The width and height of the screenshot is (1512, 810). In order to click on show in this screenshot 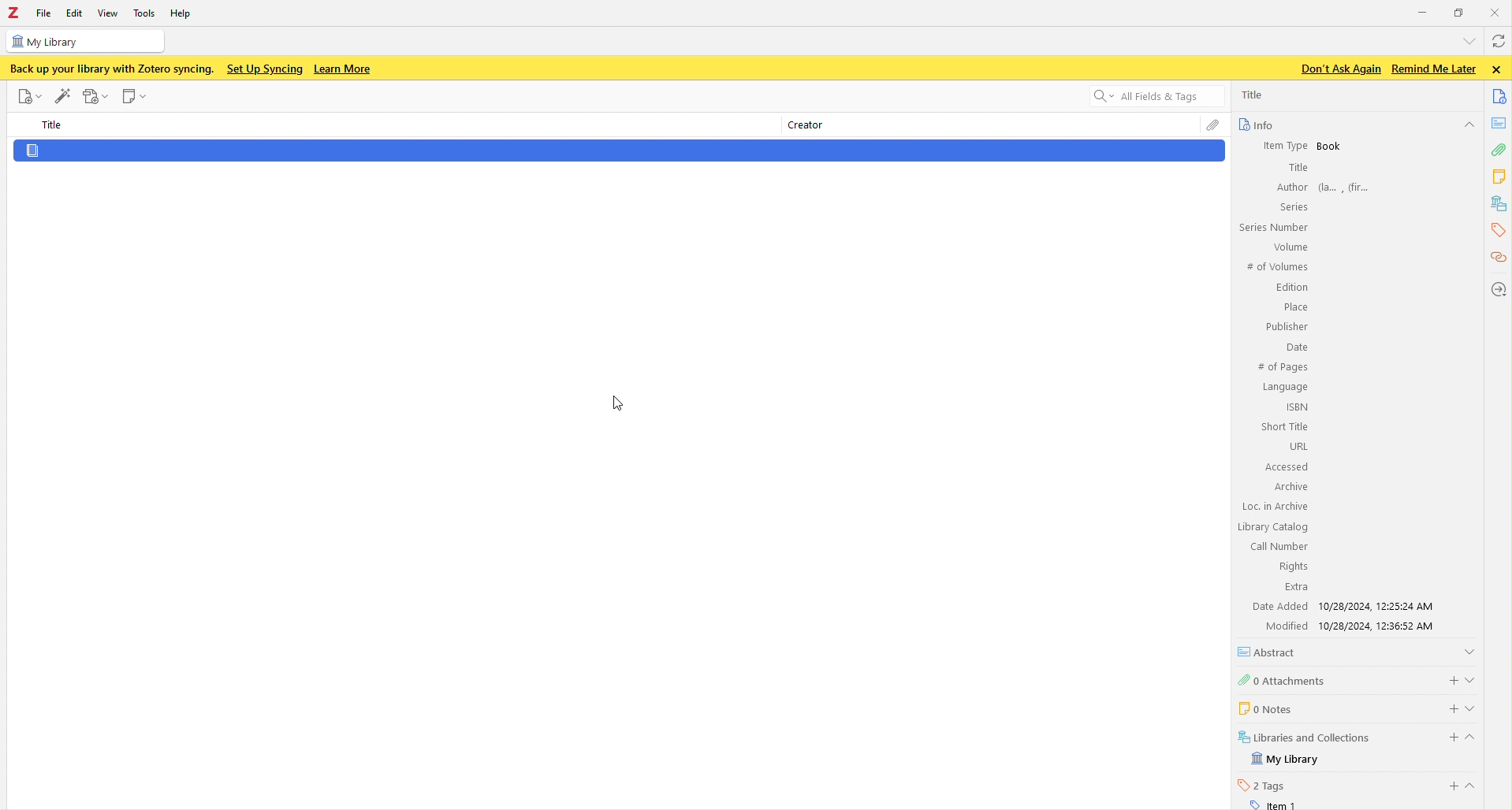, I will do `click(1476, 786)`.